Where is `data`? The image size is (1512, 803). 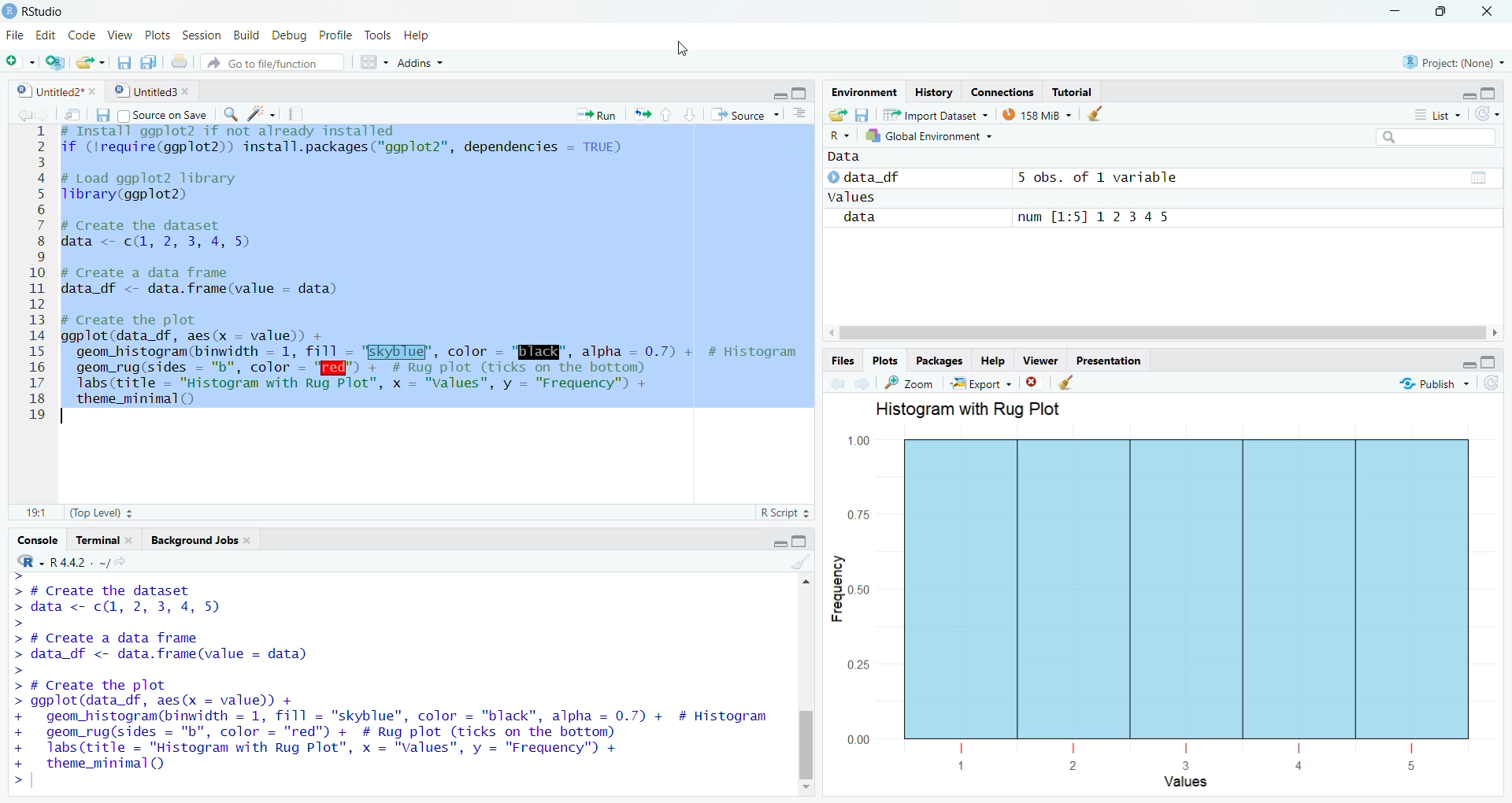
data is located at coordinates (858, 156).